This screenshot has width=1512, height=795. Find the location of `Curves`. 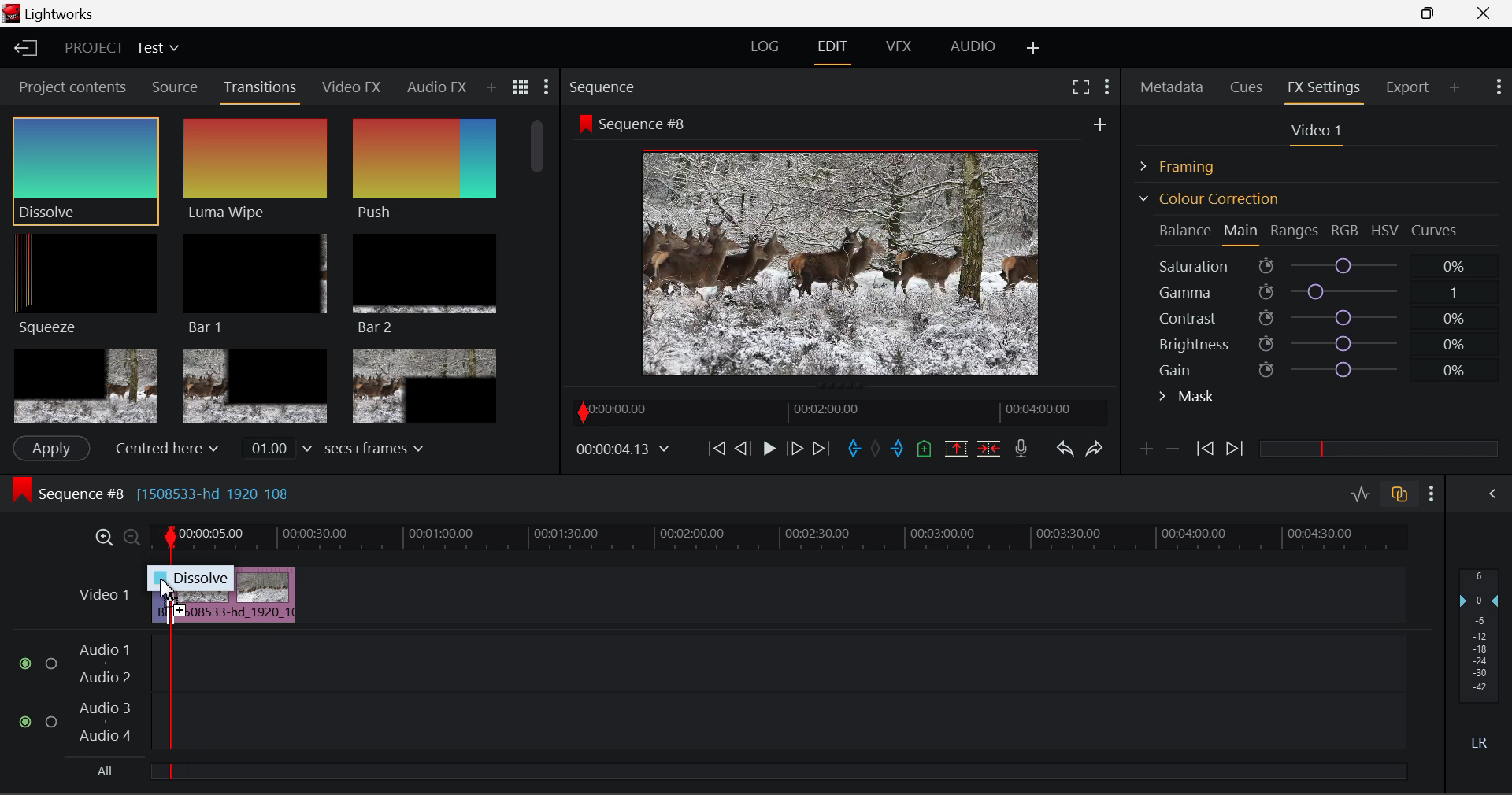

Curves is located at coordinates (1436, 230).